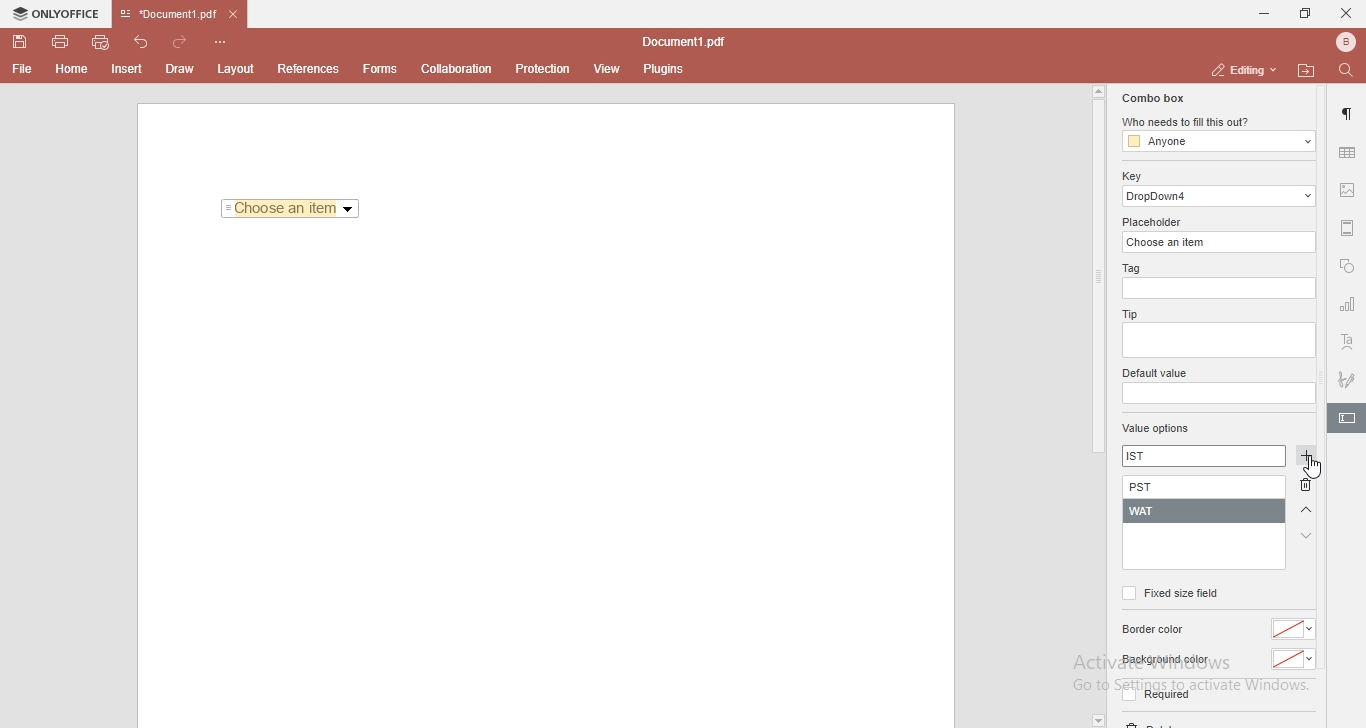 Image resolution: width=1366 pixels, height=728 pixels. I want to click on layout, so click(239, 69).